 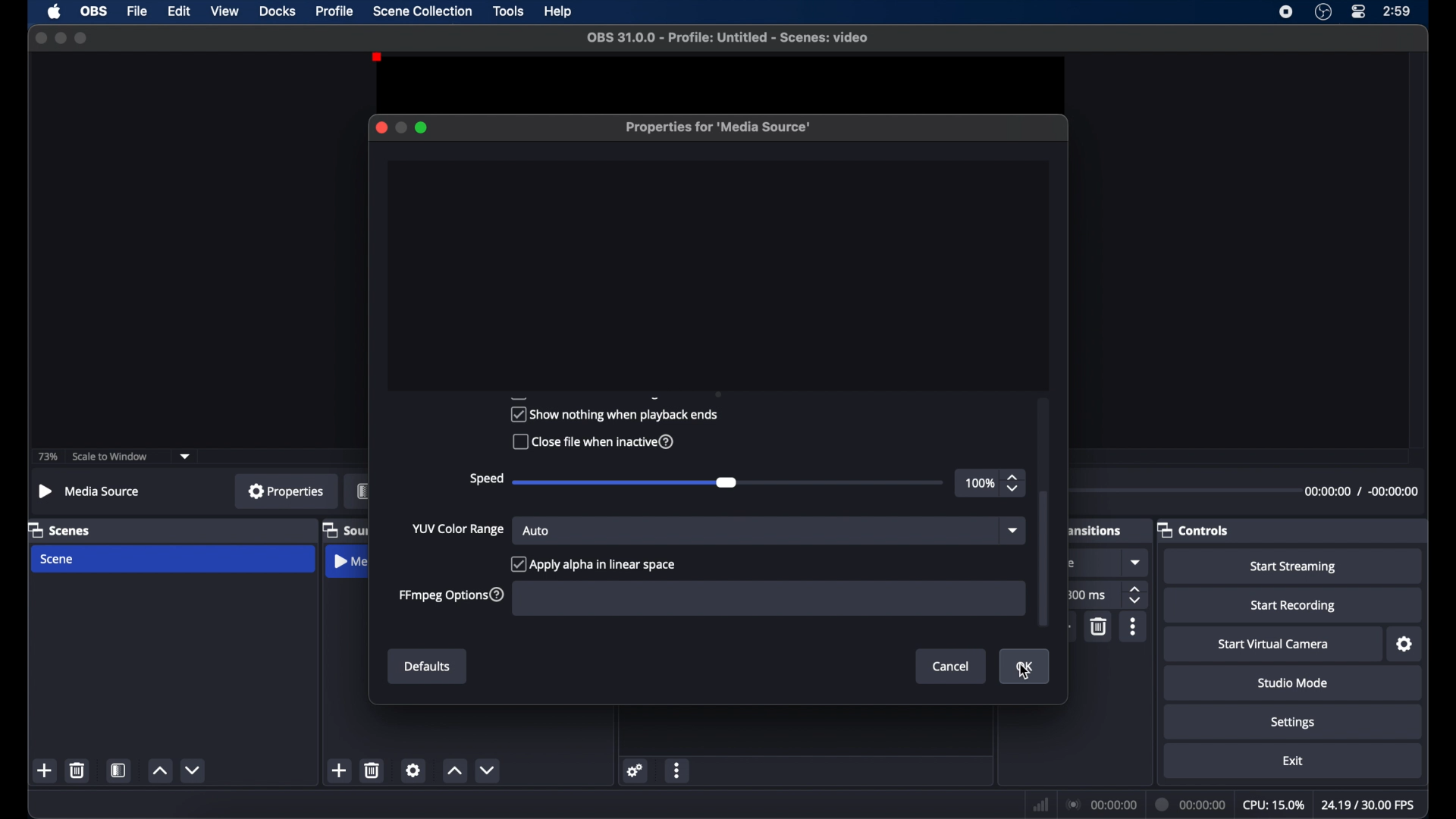 What do you see at coordinates (96, 11) in the screenshot?
I see `ob` at bounding box center [96, 11].